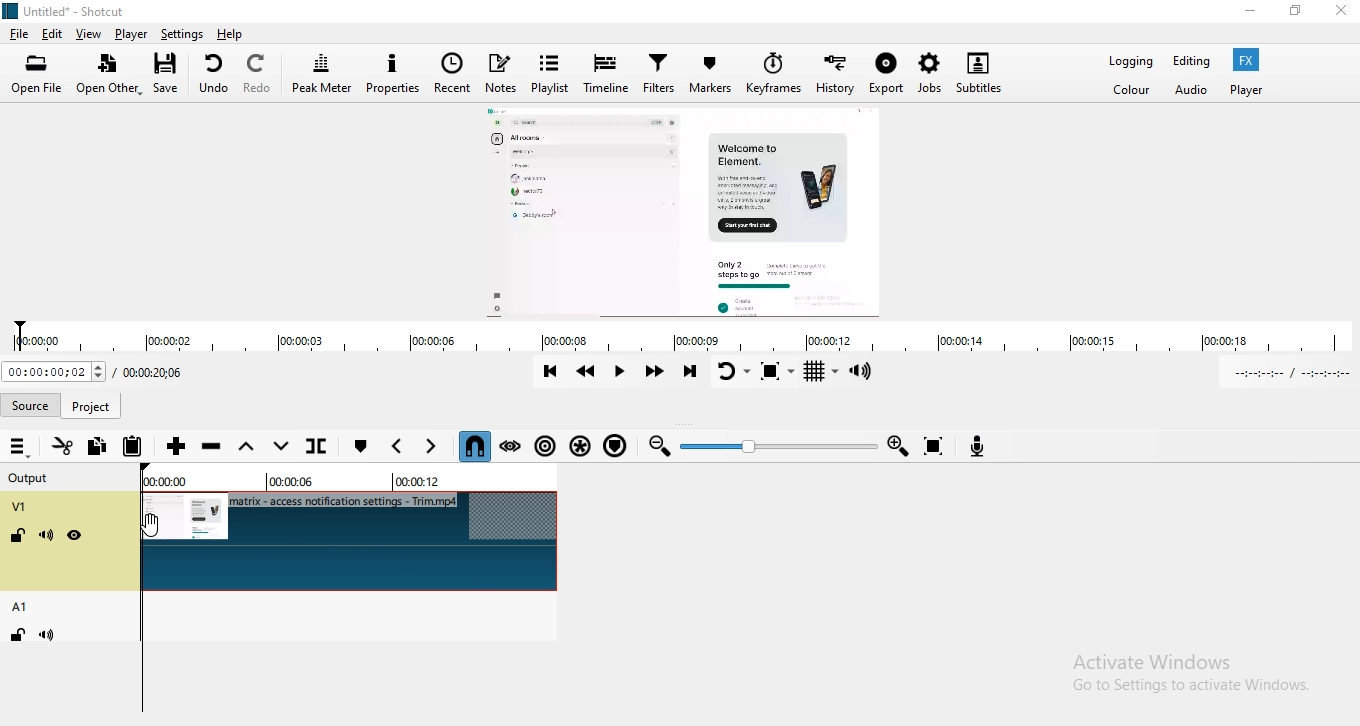 Image resolution: width=1360 pixels, height=726 pixels. What do you see at coordinates (185, 32) in the screenshot?
I see `Settings` at bounding box center [185, 32].